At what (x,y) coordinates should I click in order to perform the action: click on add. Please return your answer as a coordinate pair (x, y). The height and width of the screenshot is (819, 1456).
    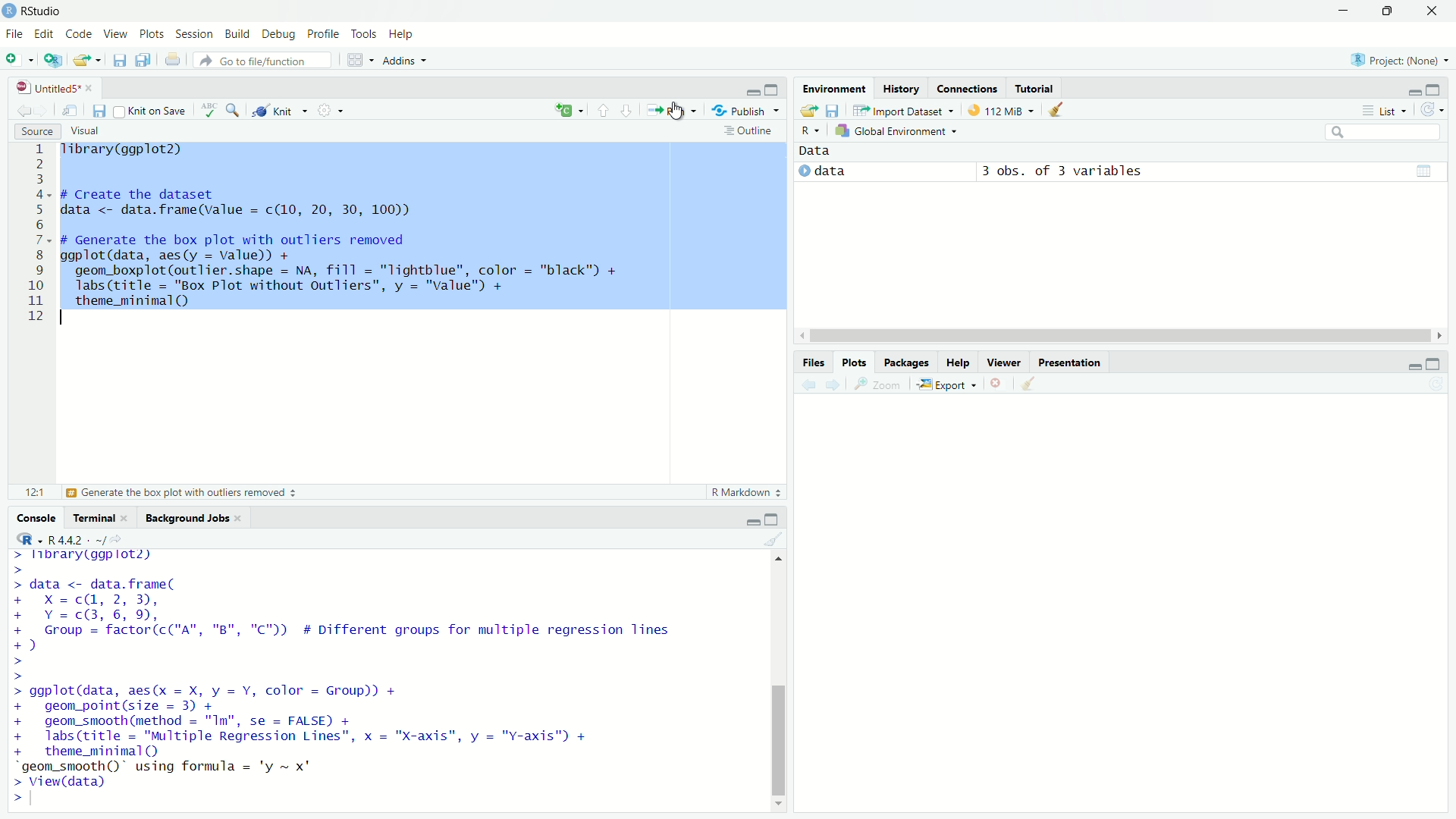
    Looking at the image, I should click on (557, 111).